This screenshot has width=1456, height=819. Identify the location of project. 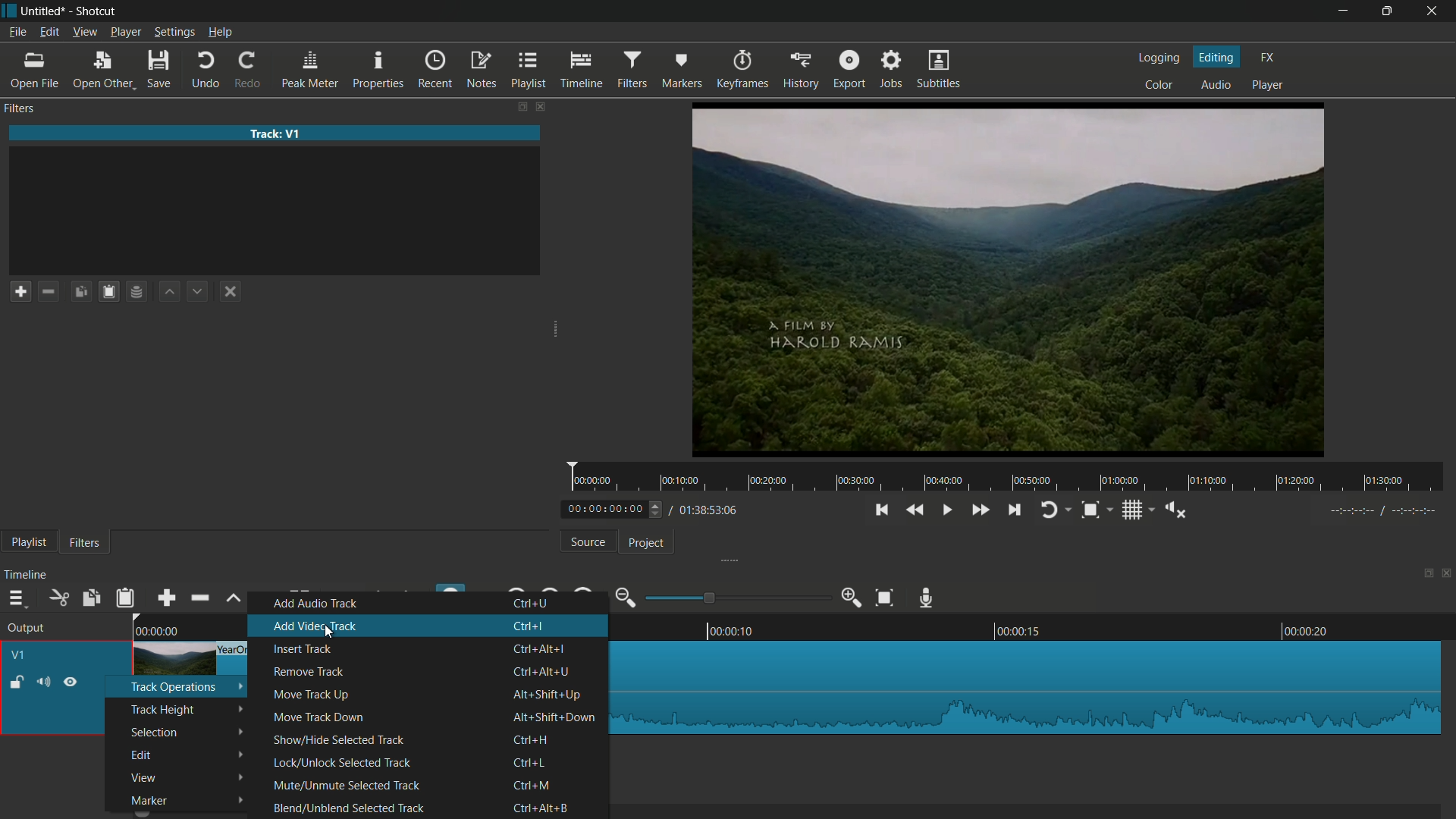
(641, 541).